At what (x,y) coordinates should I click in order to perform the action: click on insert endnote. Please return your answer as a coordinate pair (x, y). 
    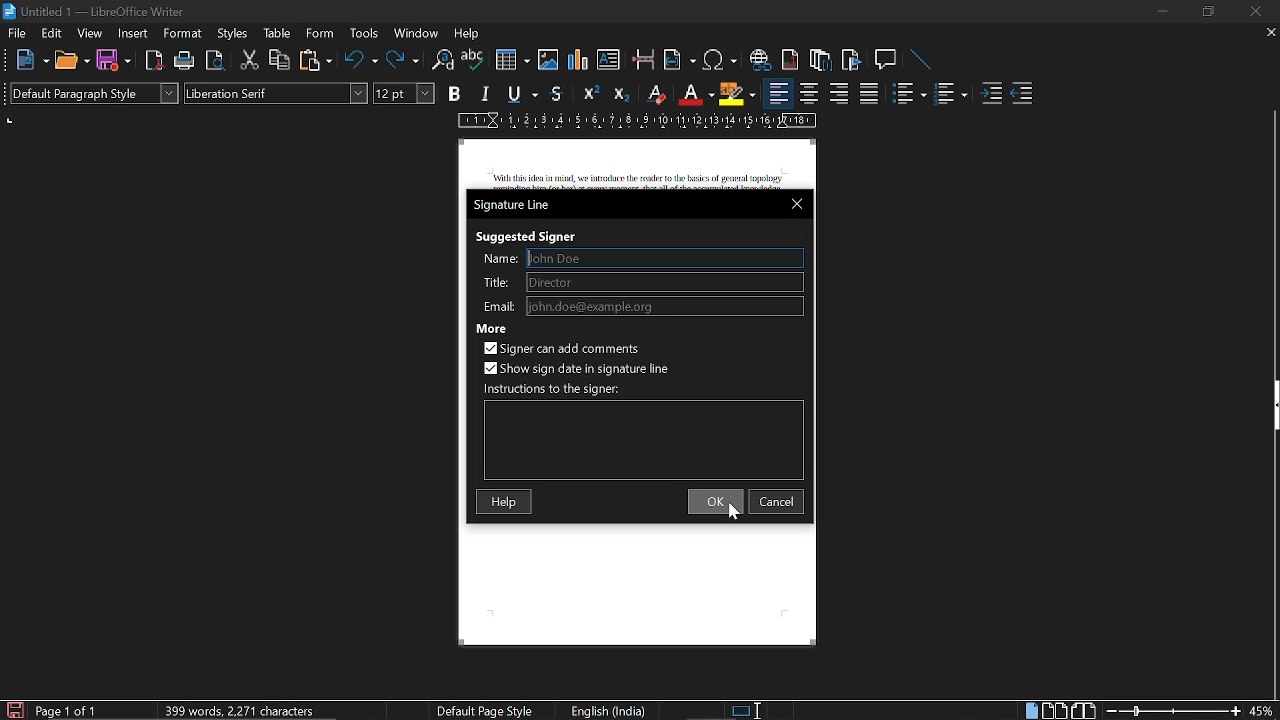
    Looking at the image, I should click on (789, 60).